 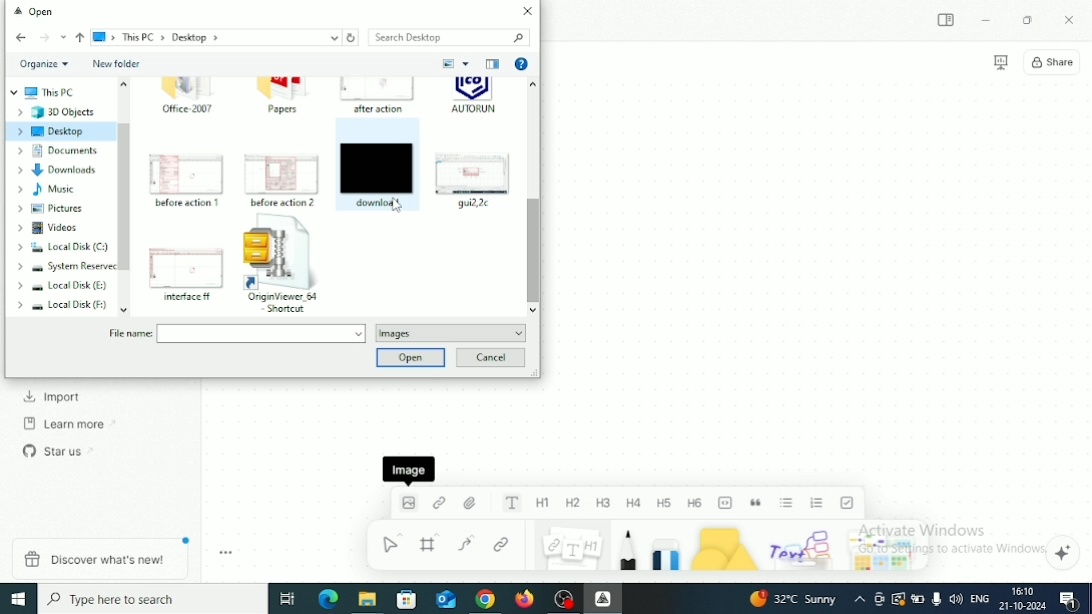 What do you see at coordinates (281, 96) in the screenshot?
I see `Papers` at bounding box center [281, 96].